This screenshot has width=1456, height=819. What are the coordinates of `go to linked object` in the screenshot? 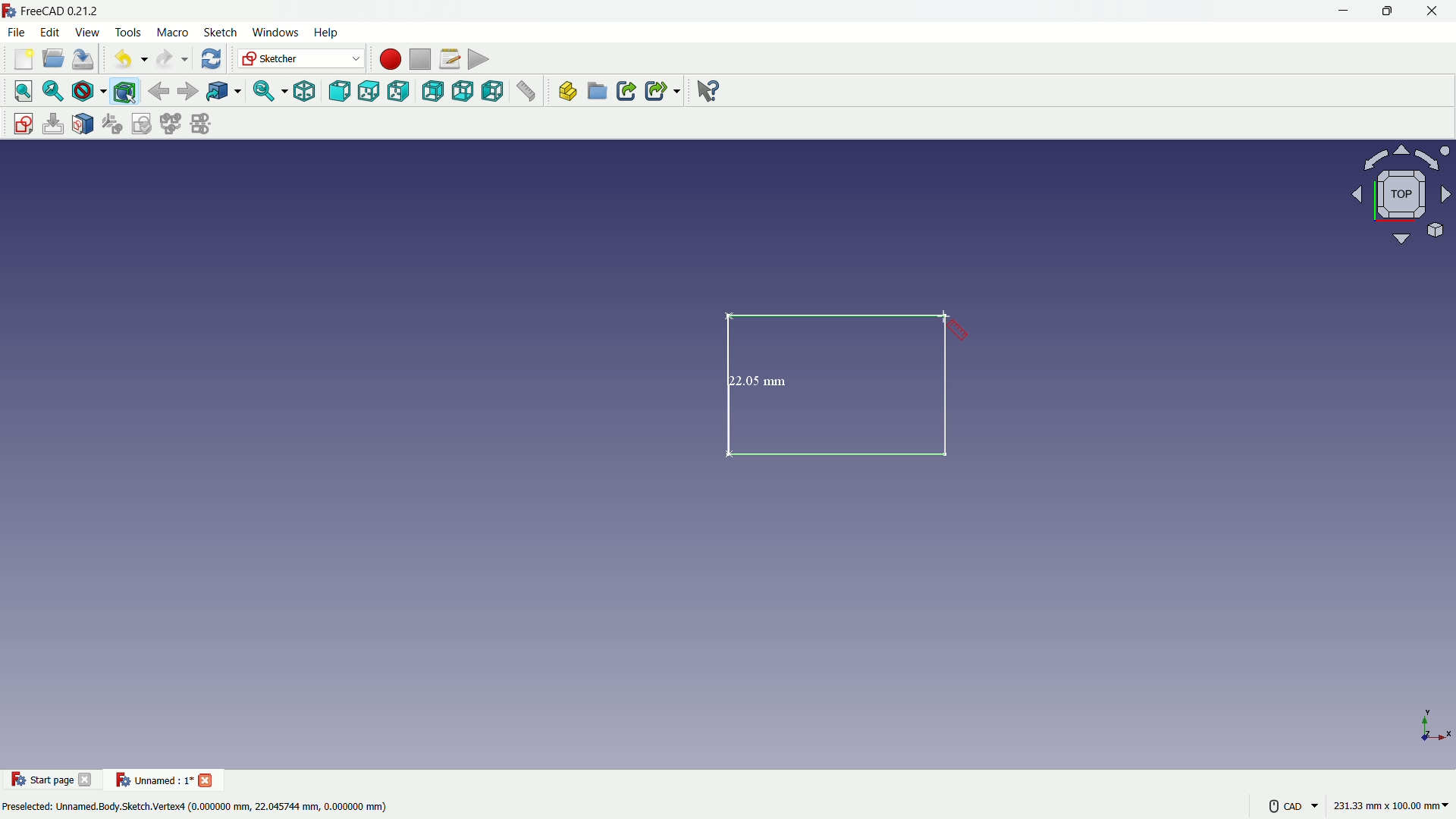 It's located at (223, 93).